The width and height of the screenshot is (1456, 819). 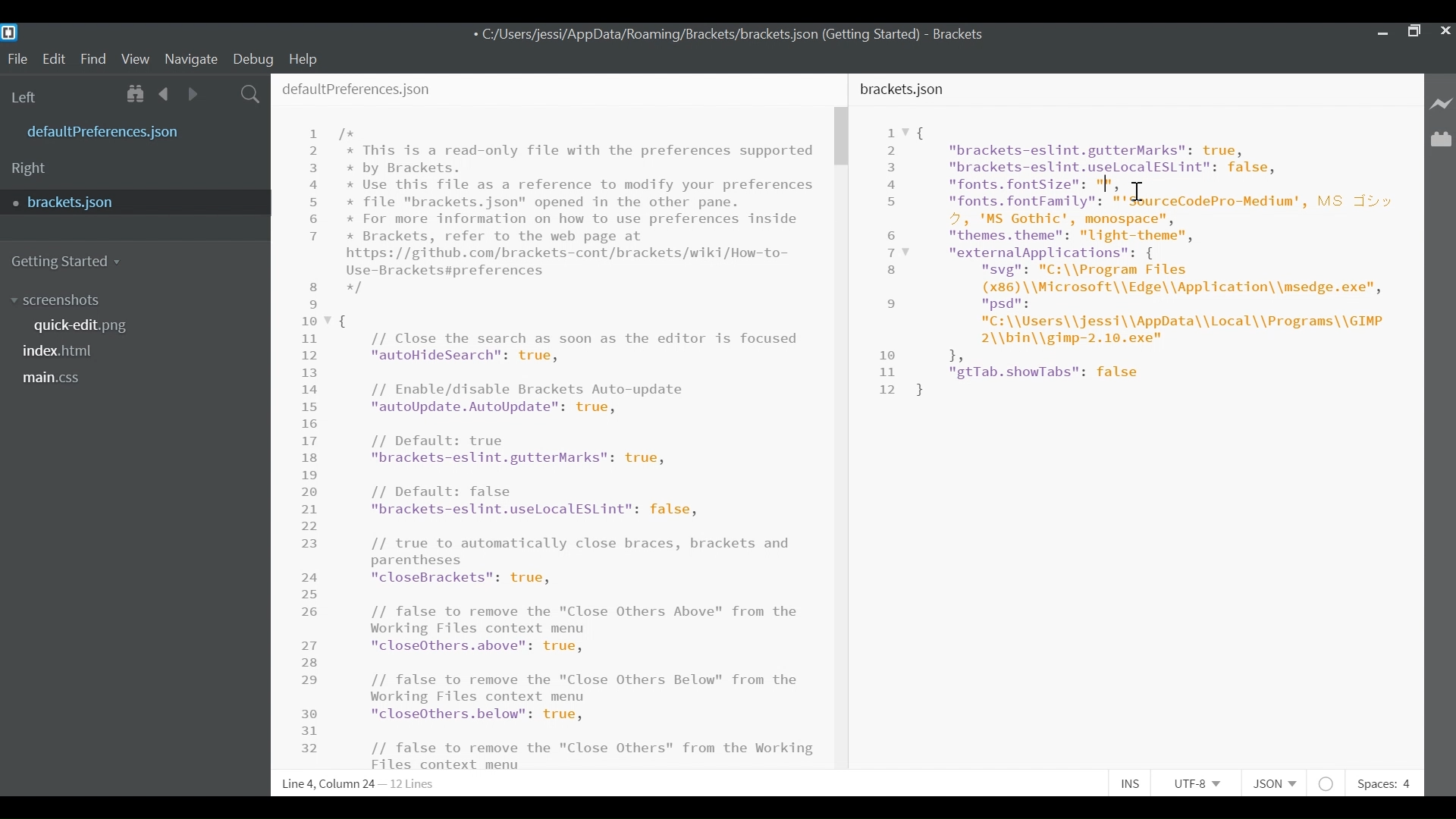 I want to click on index.html, so click(x=62, y=352).